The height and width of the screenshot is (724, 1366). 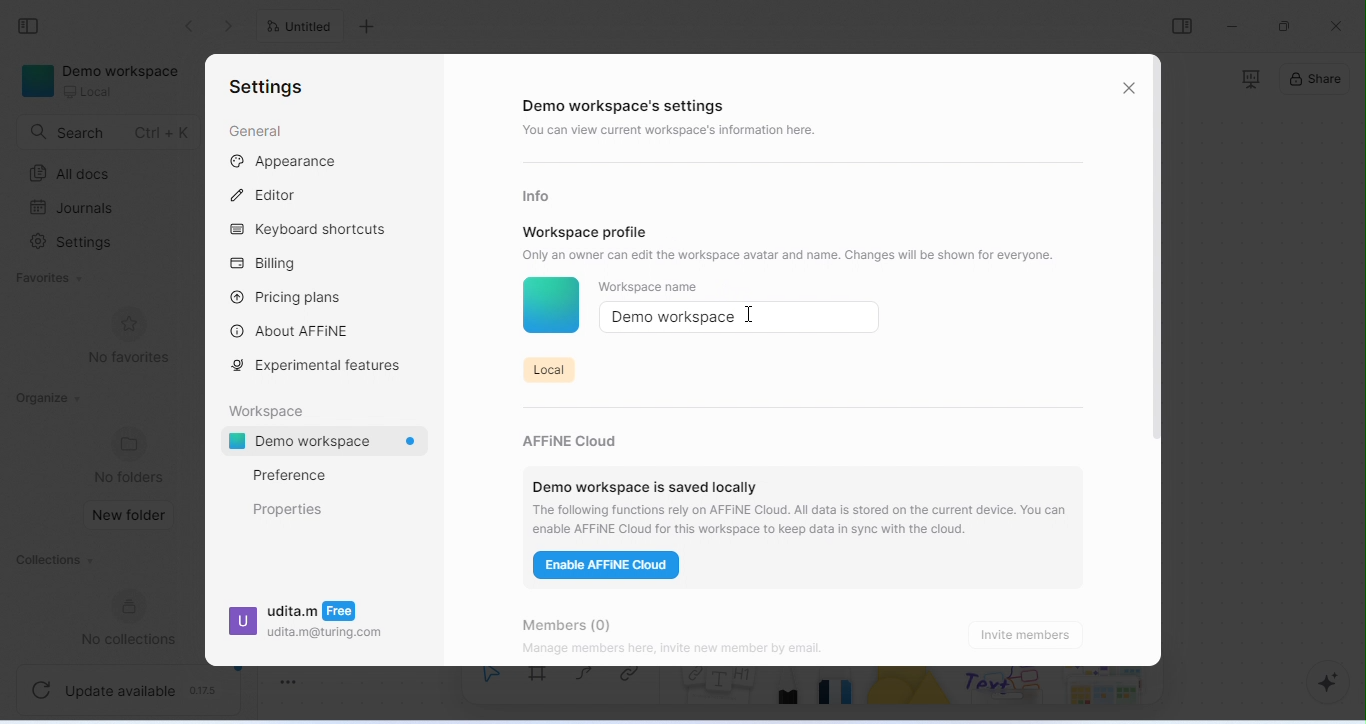 I want to click on link, so click(x=637, y=683).